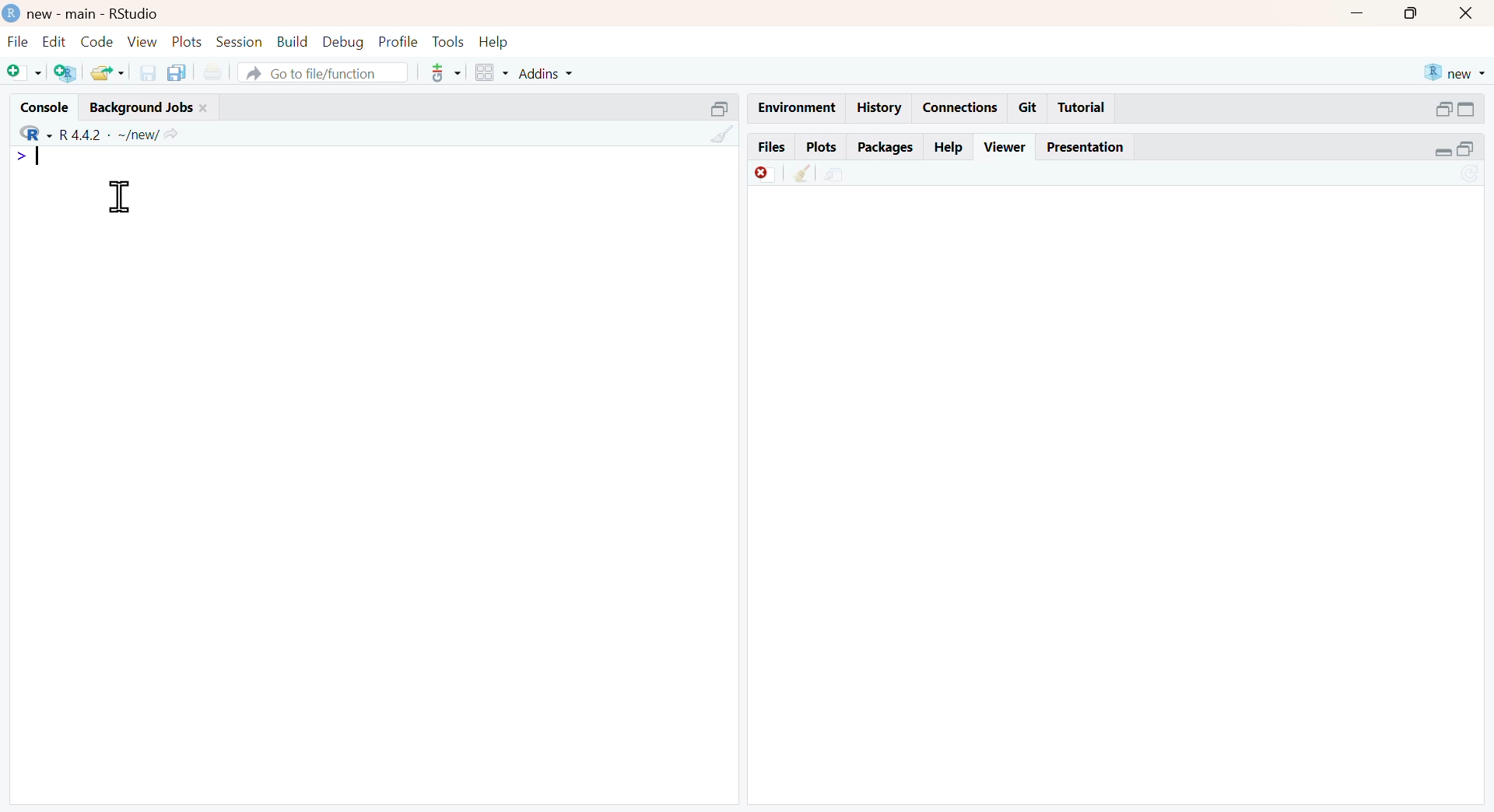 This screenshot has width=1494, height=812. I want to click on grid, so click(493, 72).